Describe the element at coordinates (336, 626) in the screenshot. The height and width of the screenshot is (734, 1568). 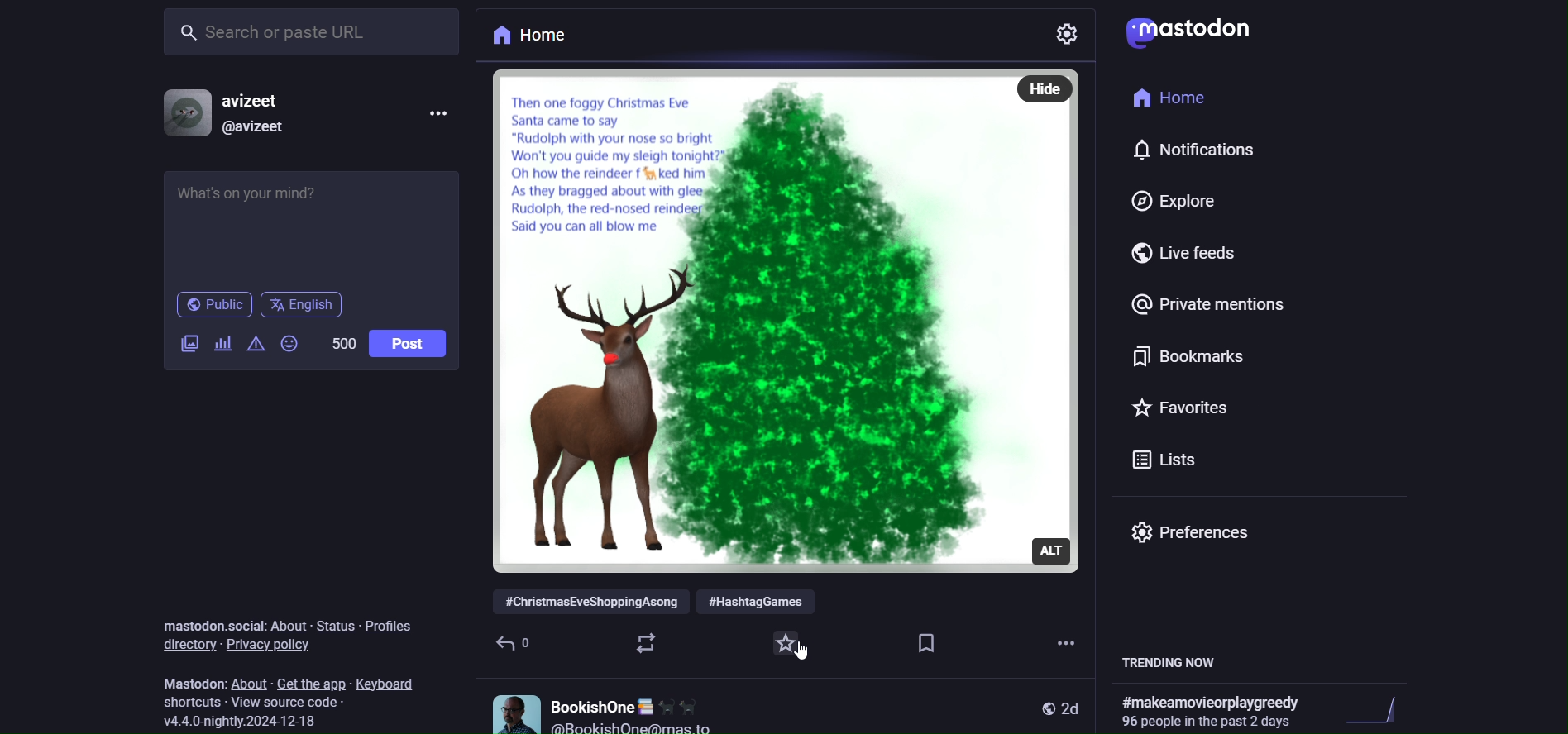
I see `status` at that location.